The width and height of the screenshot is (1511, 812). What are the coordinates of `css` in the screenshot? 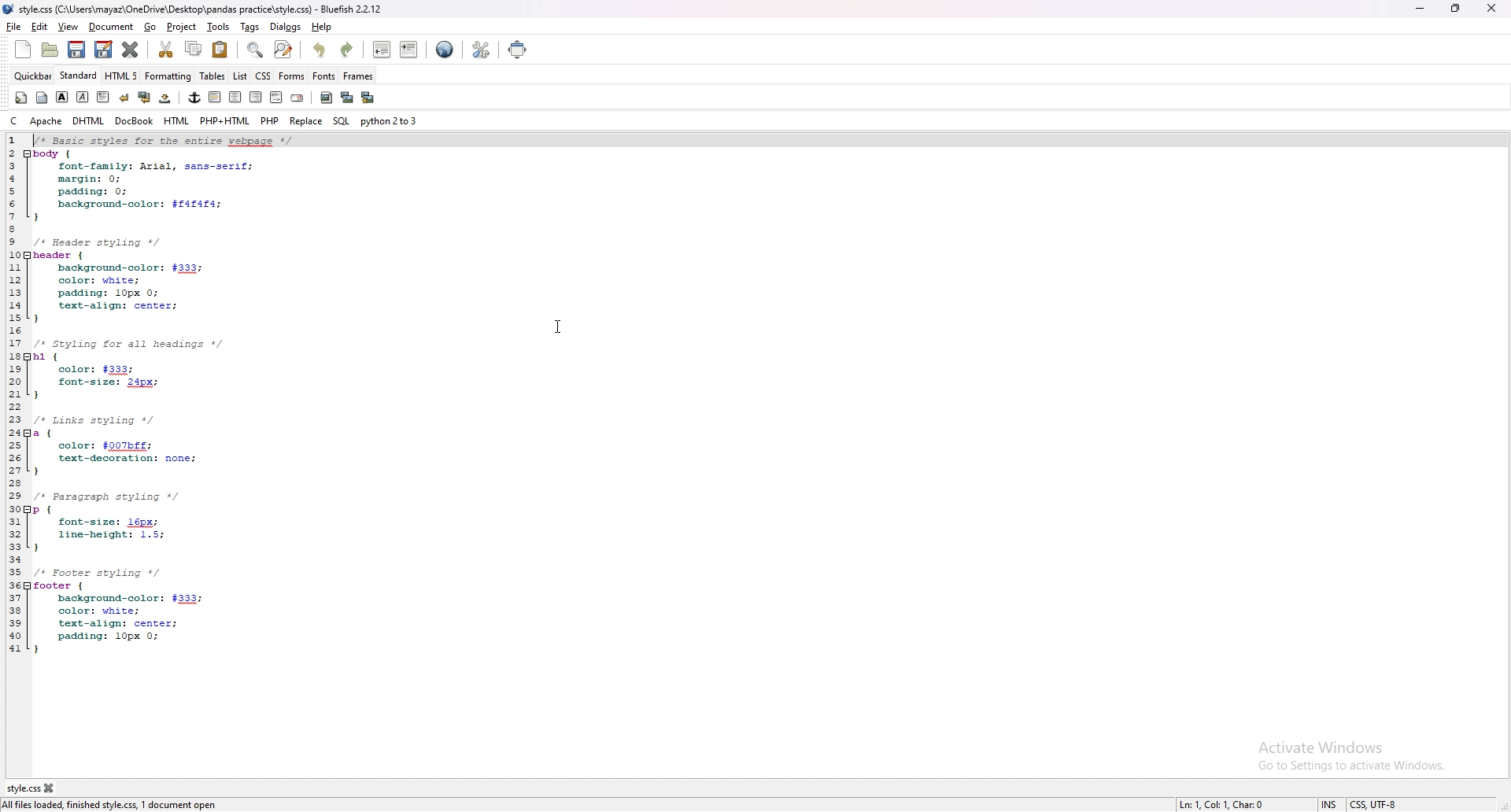 It's located at (263, 76).